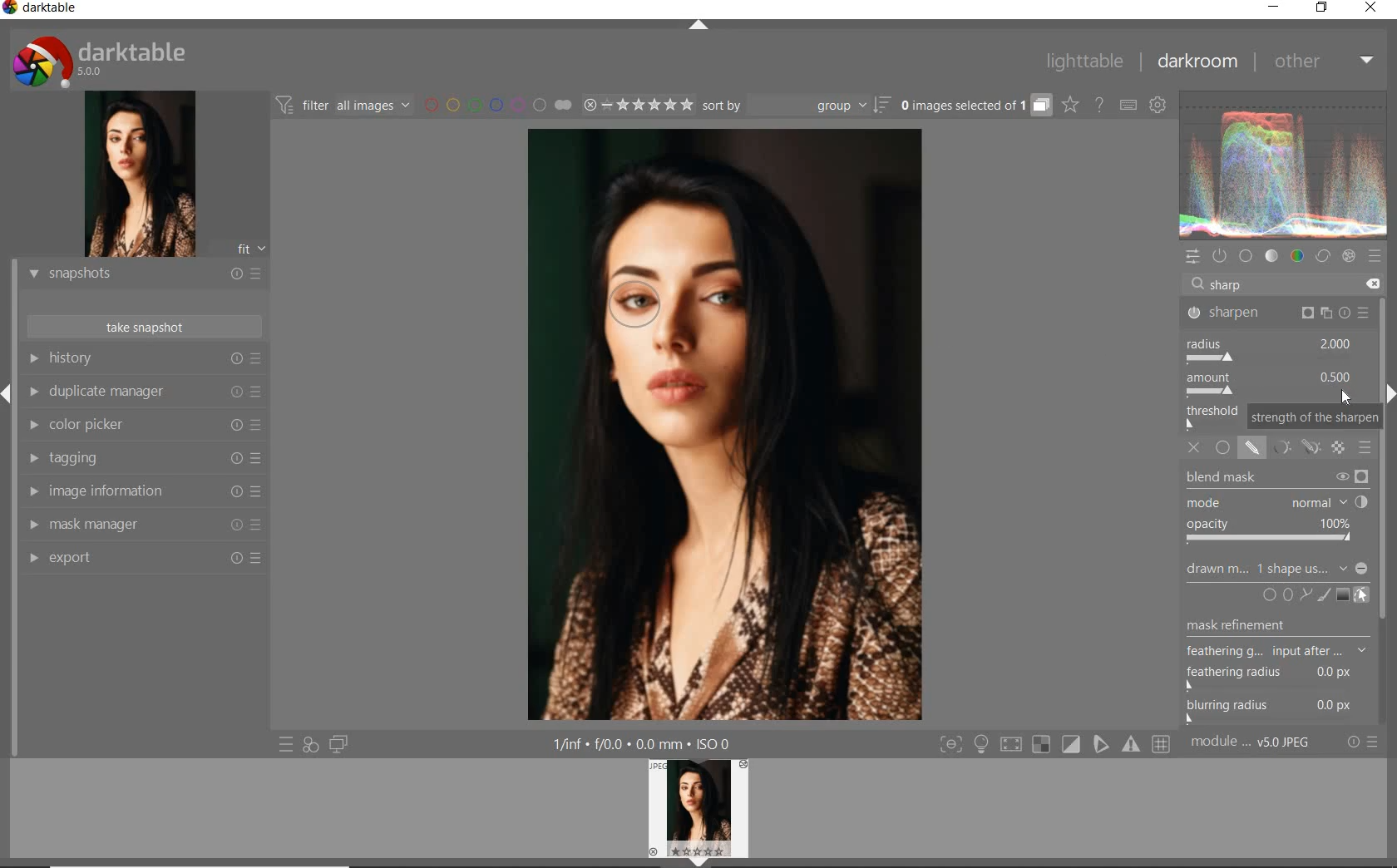 The image size is (1397, 868). I want to click on add brush, so click(1324, 593).